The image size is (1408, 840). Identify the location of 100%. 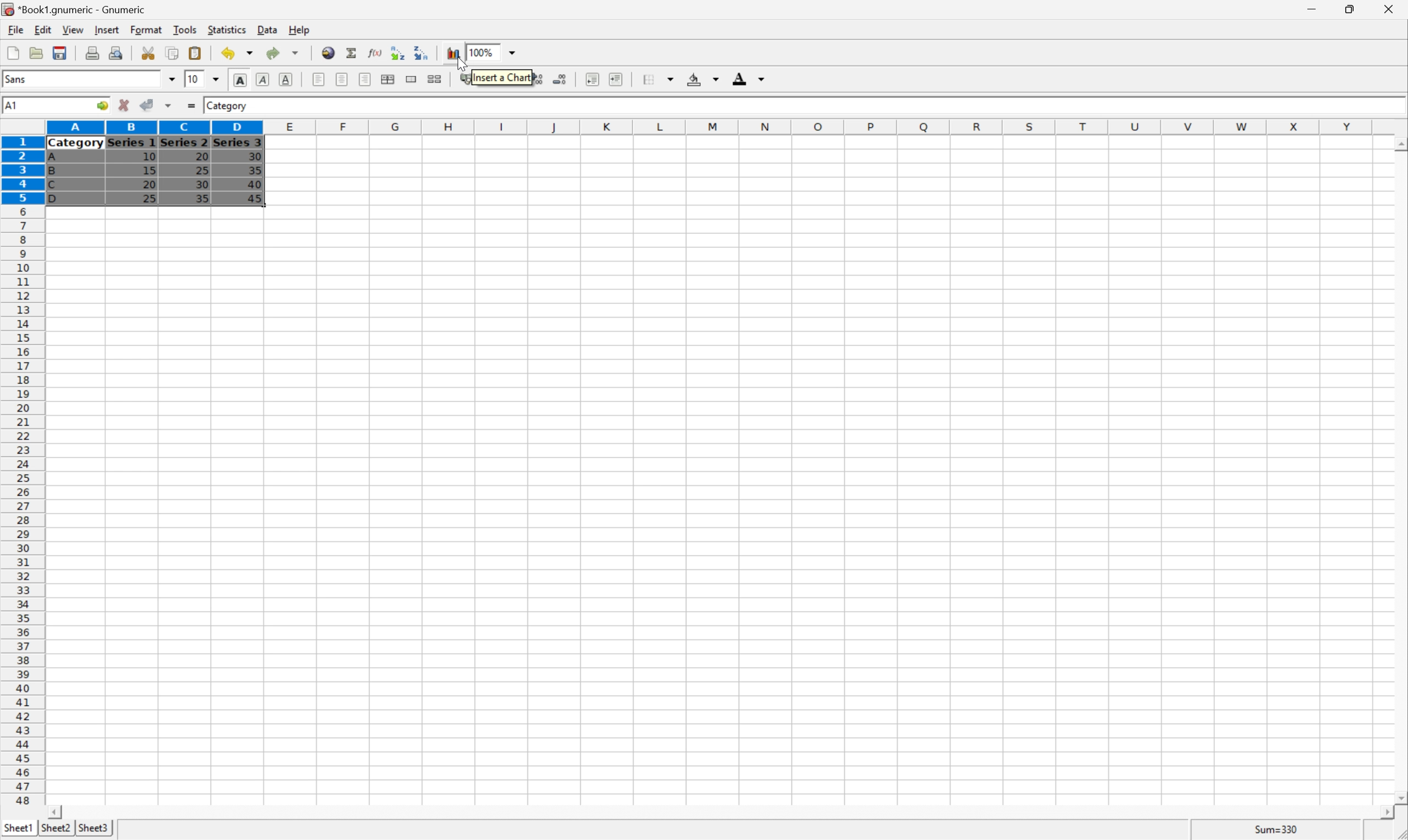
(482, 52).